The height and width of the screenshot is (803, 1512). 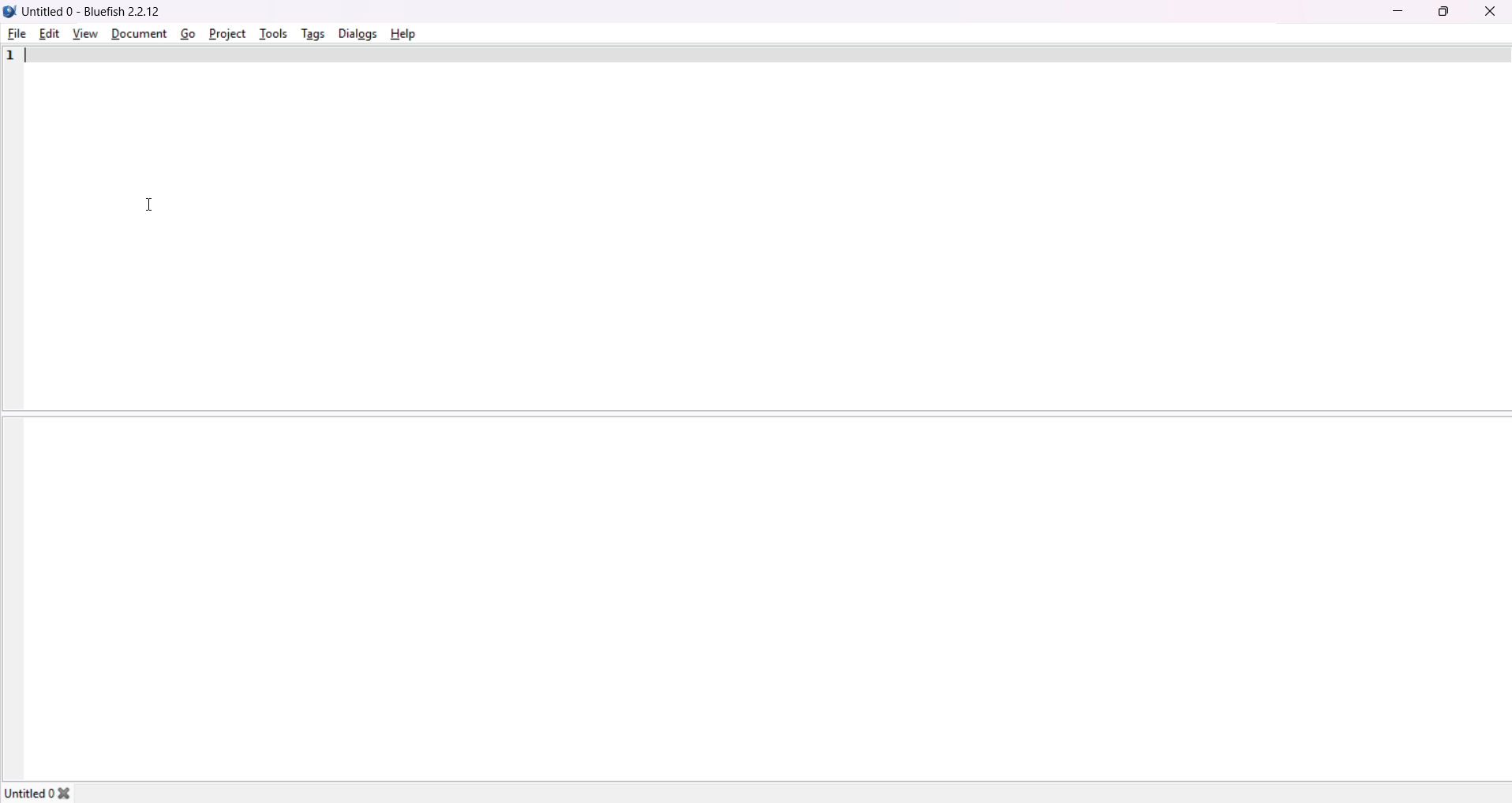 What do you see at coordinates (17, 34) in the screenshot?
I see `file` at bounding box center [17, 34].